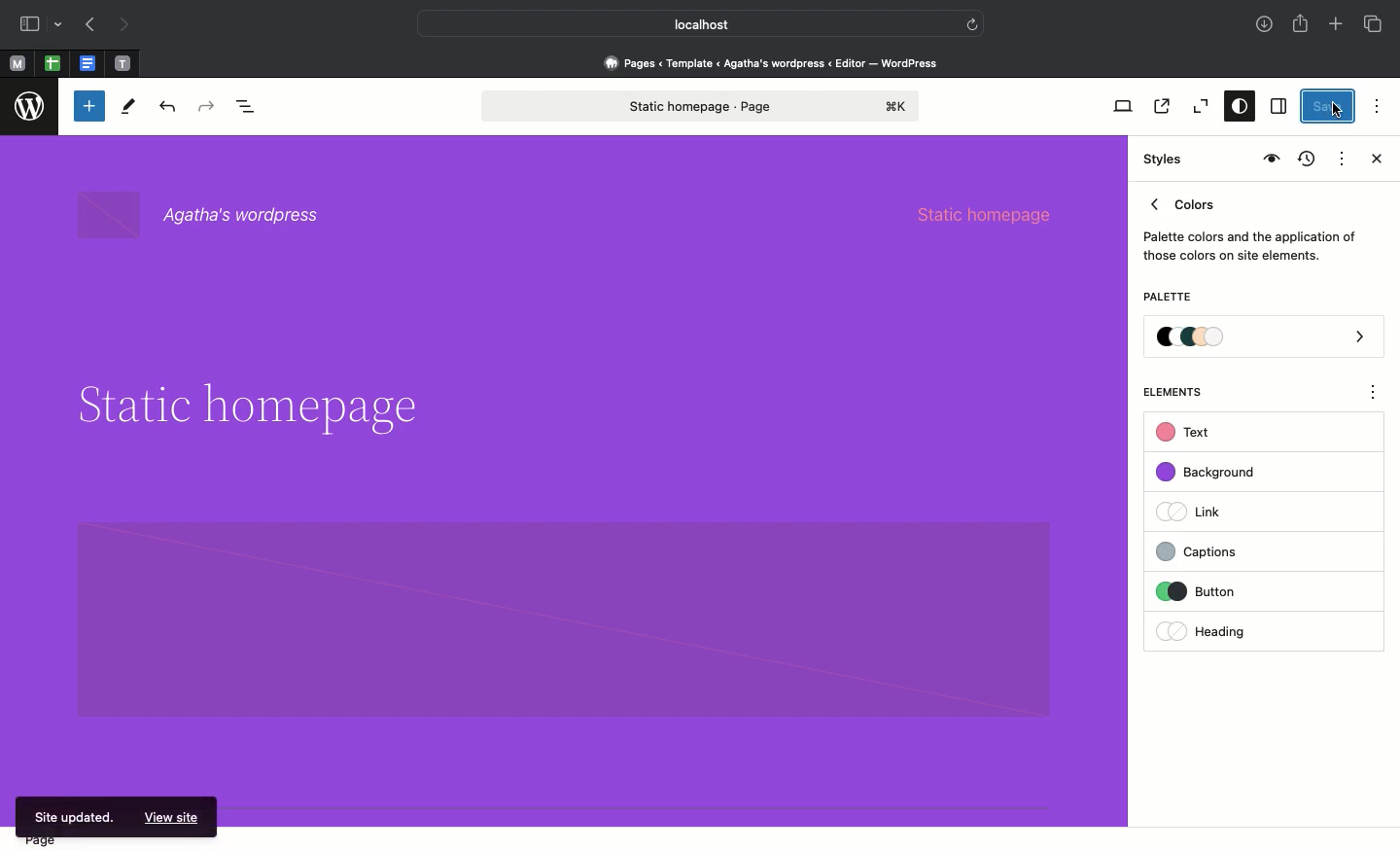 The height and width of the screenshot is (850, 1400). I want to click on Document overview, so click(250, 108).